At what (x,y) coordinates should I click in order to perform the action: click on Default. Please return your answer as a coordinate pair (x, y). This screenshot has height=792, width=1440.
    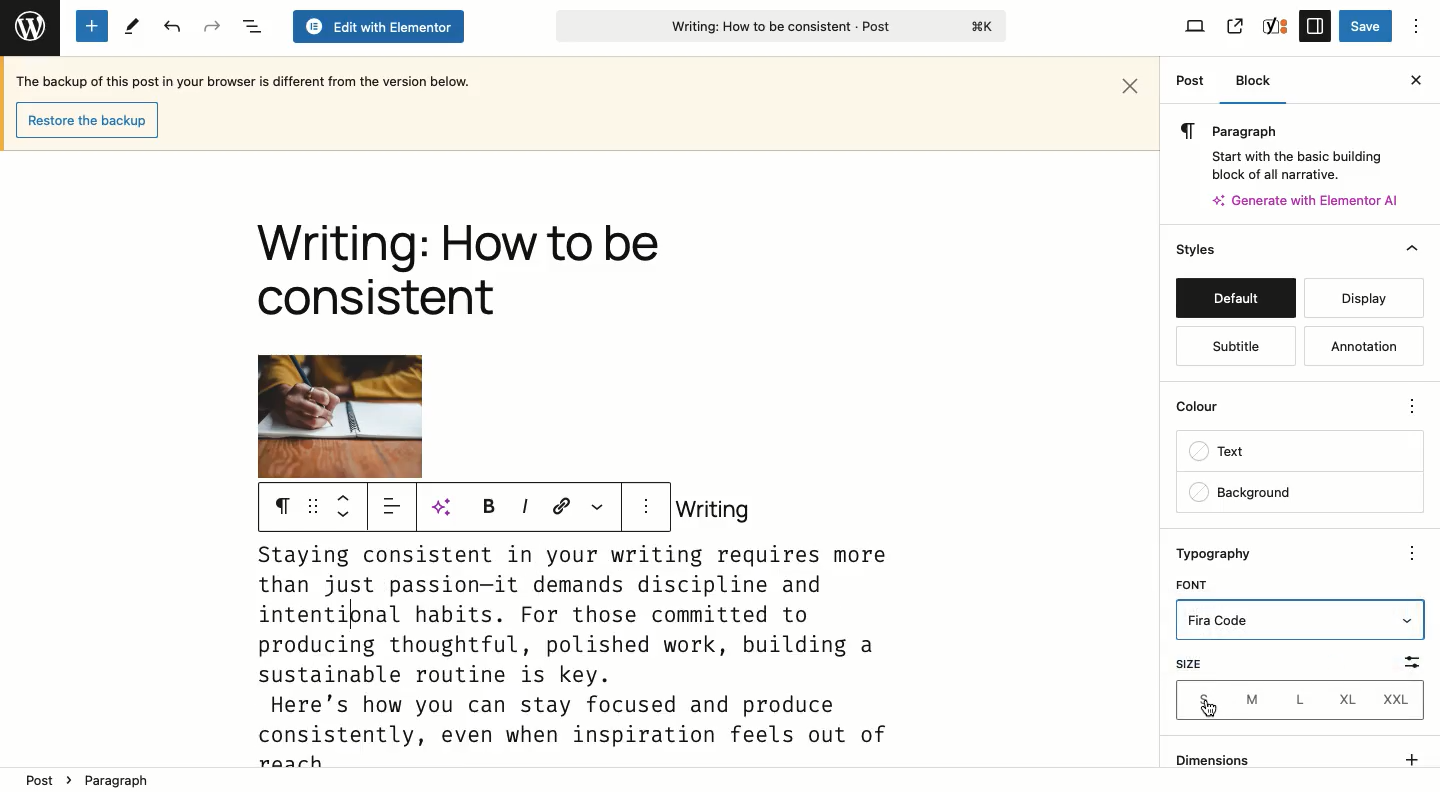
    Looking at the image, I should click on (1235, 298).